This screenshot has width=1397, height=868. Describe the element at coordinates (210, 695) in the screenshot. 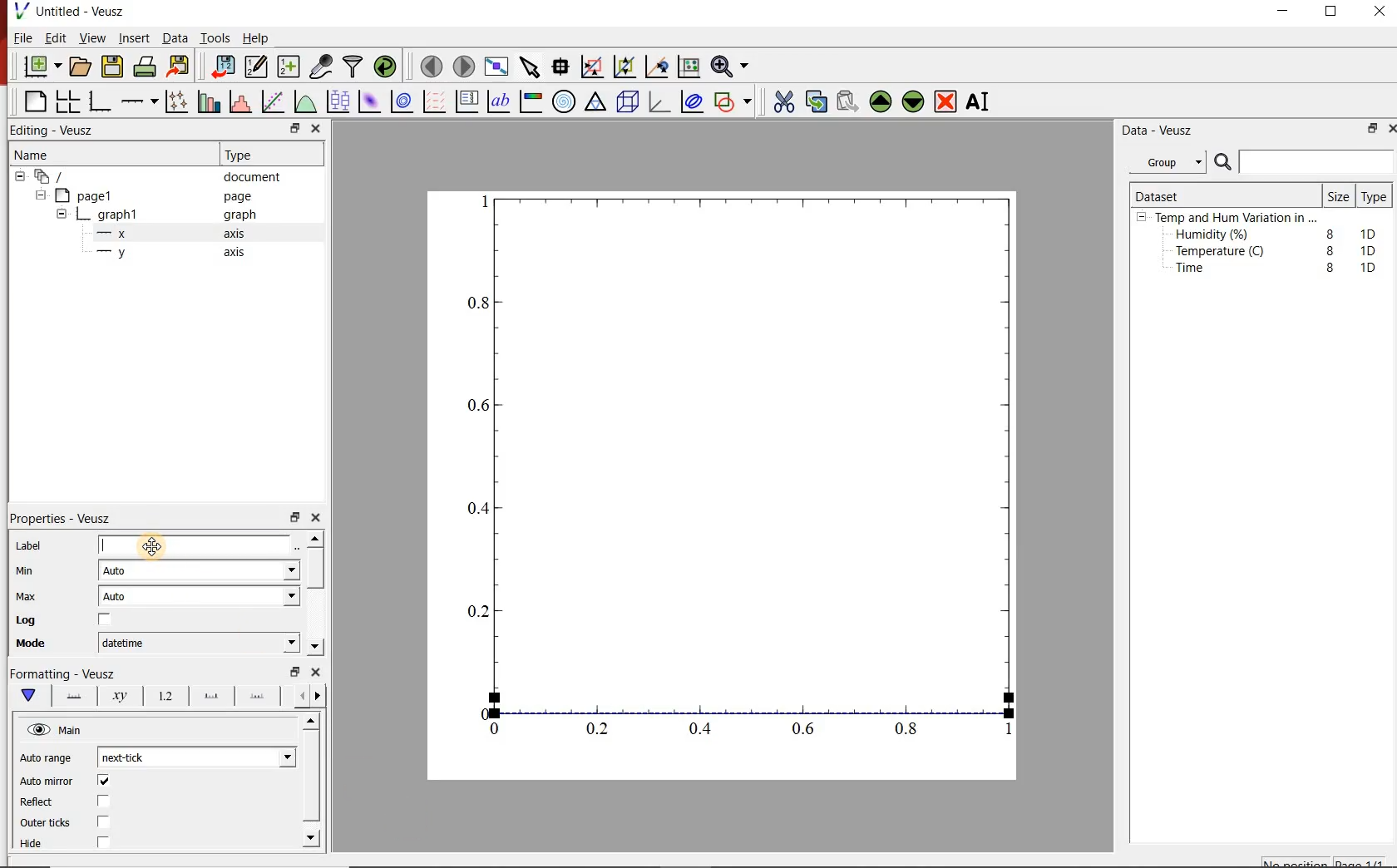

I see `major ticks` at that location.